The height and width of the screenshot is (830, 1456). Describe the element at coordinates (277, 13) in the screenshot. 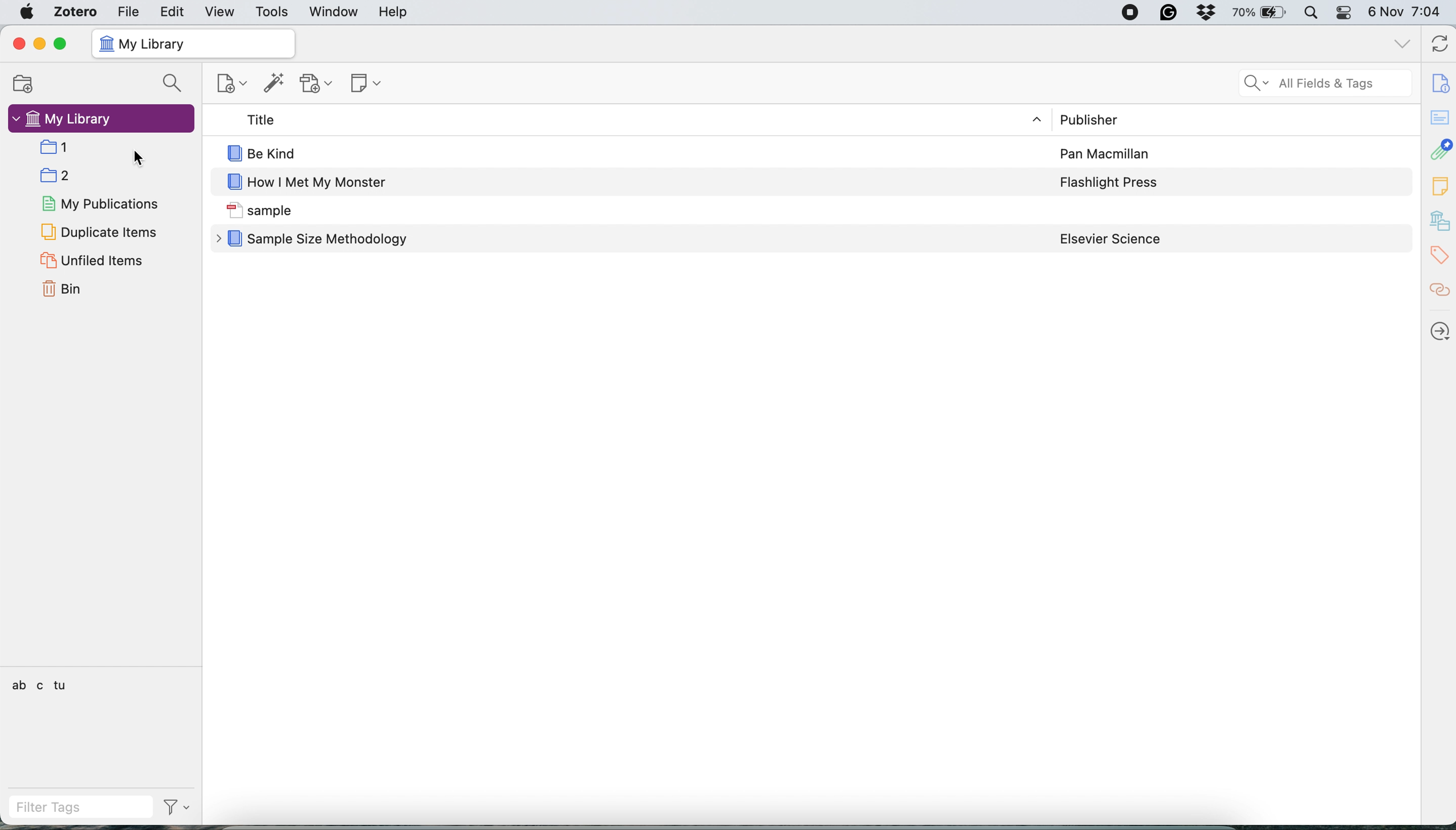

I see `tools` at that location.